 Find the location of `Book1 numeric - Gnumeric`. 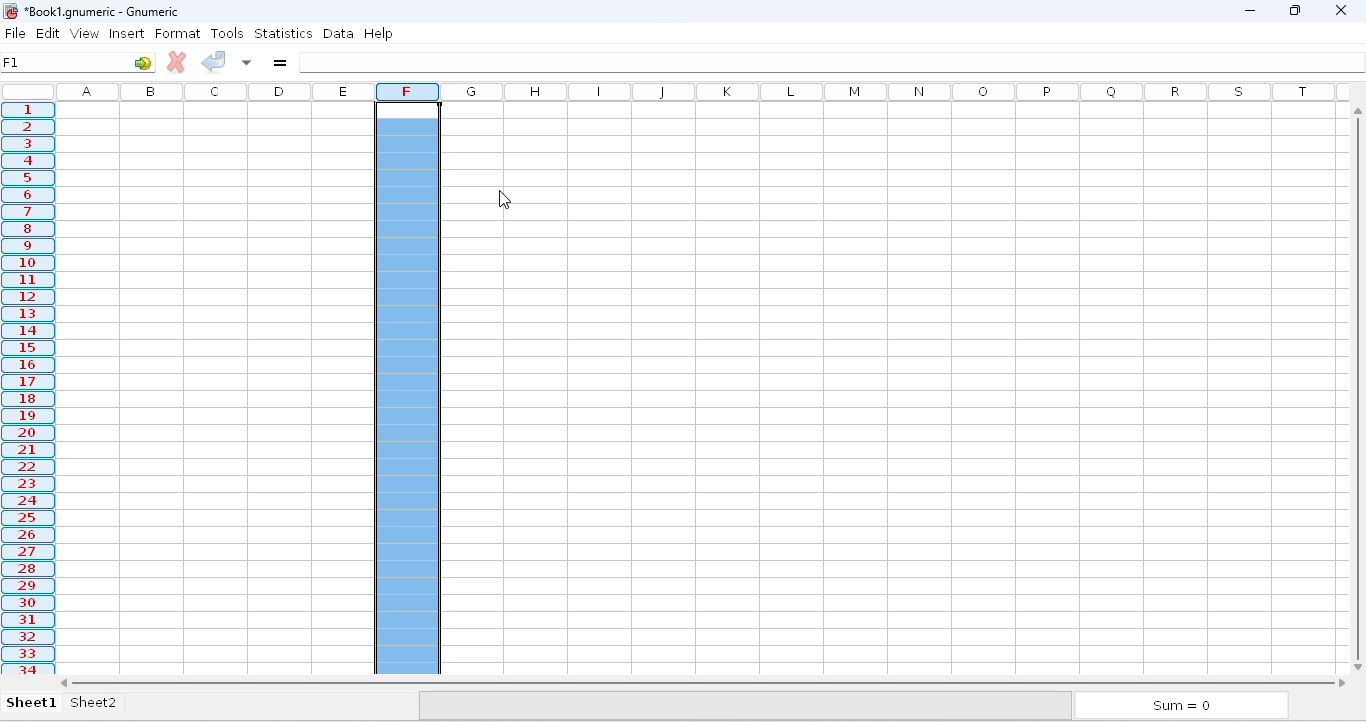

Book1 numeric - Gnumeric is located at coordinates (103, 11).